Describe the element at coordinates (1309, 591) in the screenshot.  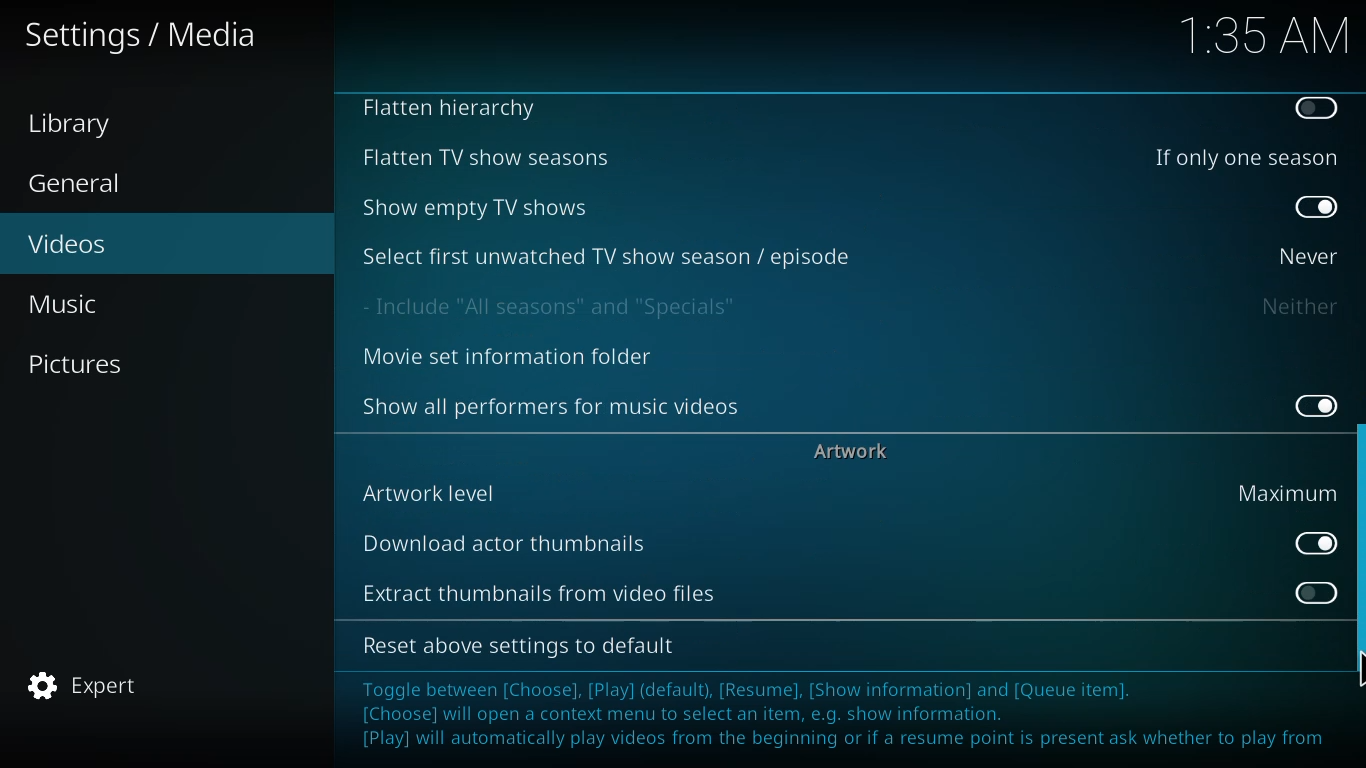
I see `enable` at that location.